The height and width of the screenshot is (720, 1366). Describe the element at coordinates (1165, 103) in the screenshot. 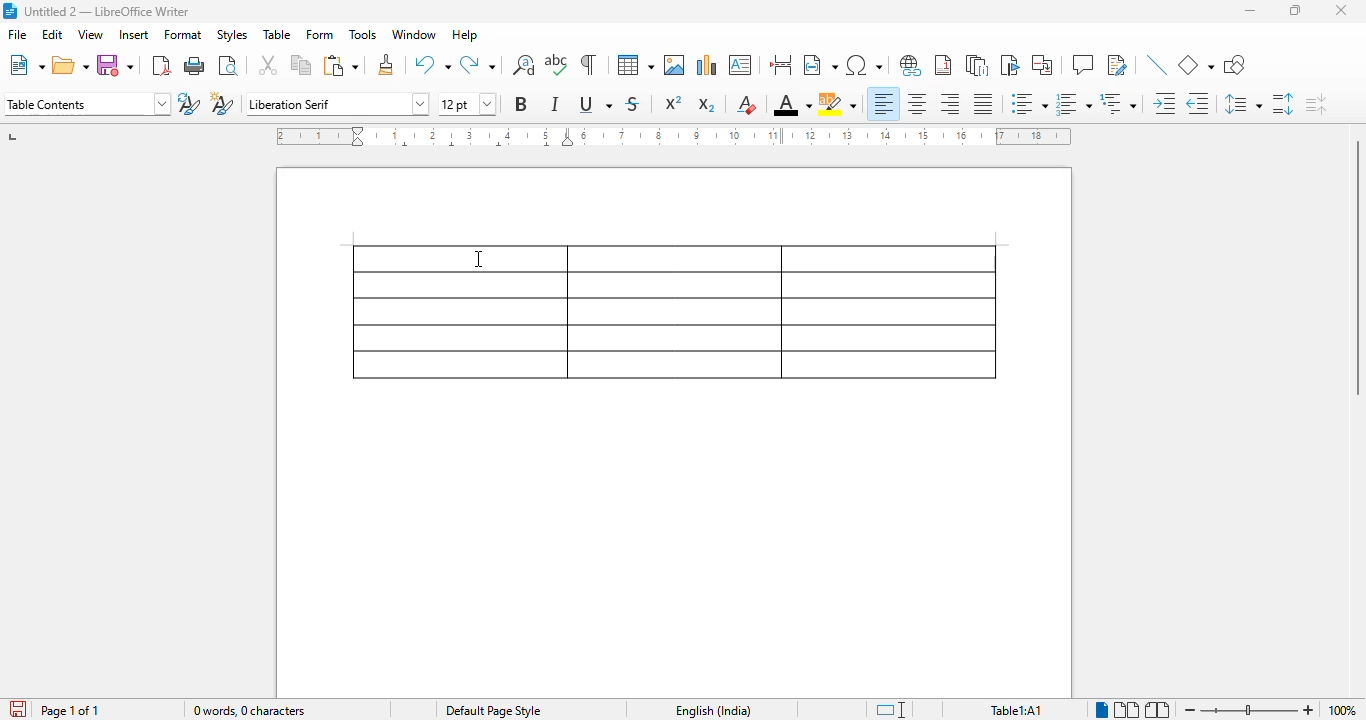

I see `increase indent` at that location.